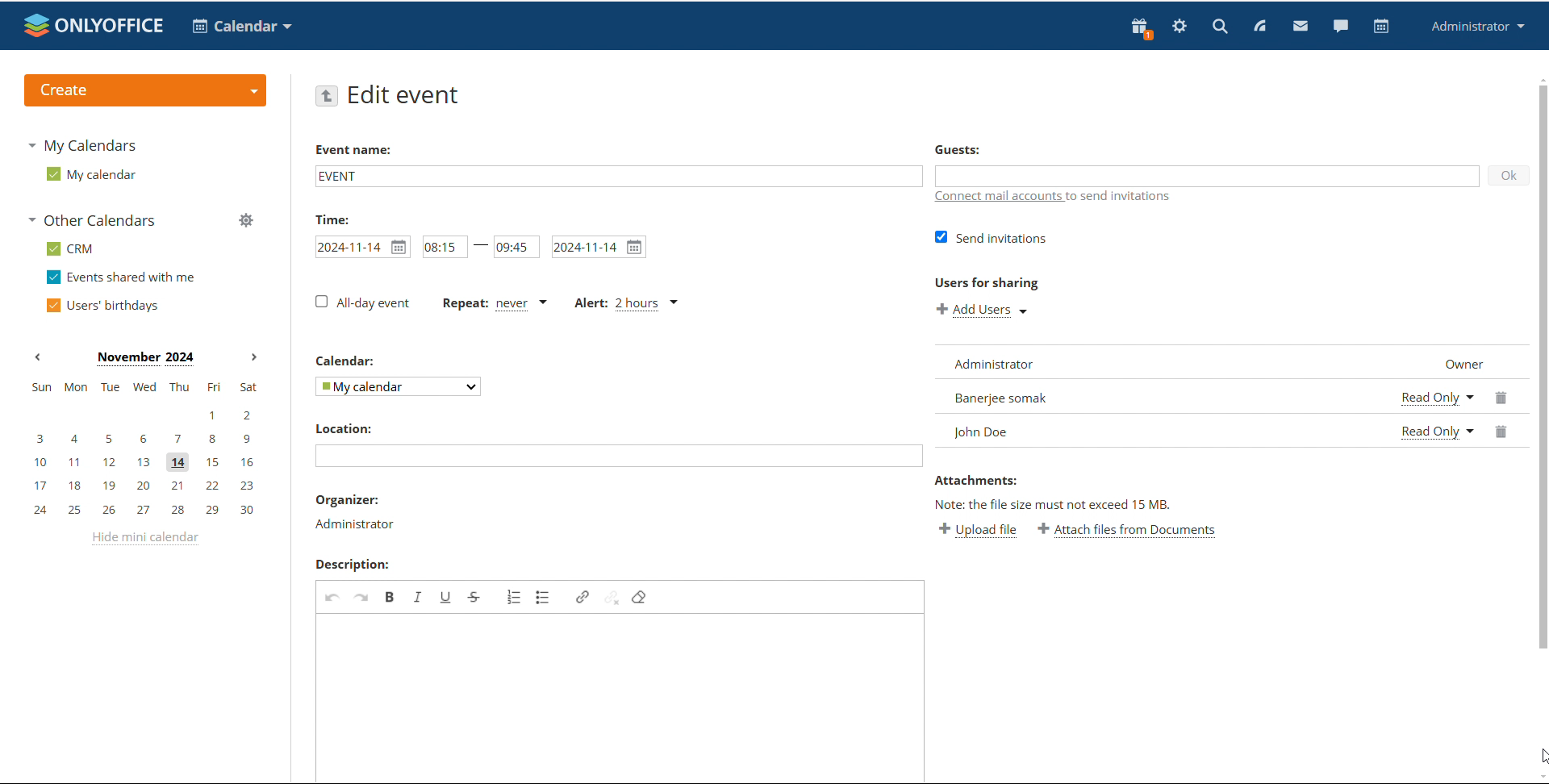 The width and height of the screenshot is (1549, 784). I want to click on underline, so click(449, 597).